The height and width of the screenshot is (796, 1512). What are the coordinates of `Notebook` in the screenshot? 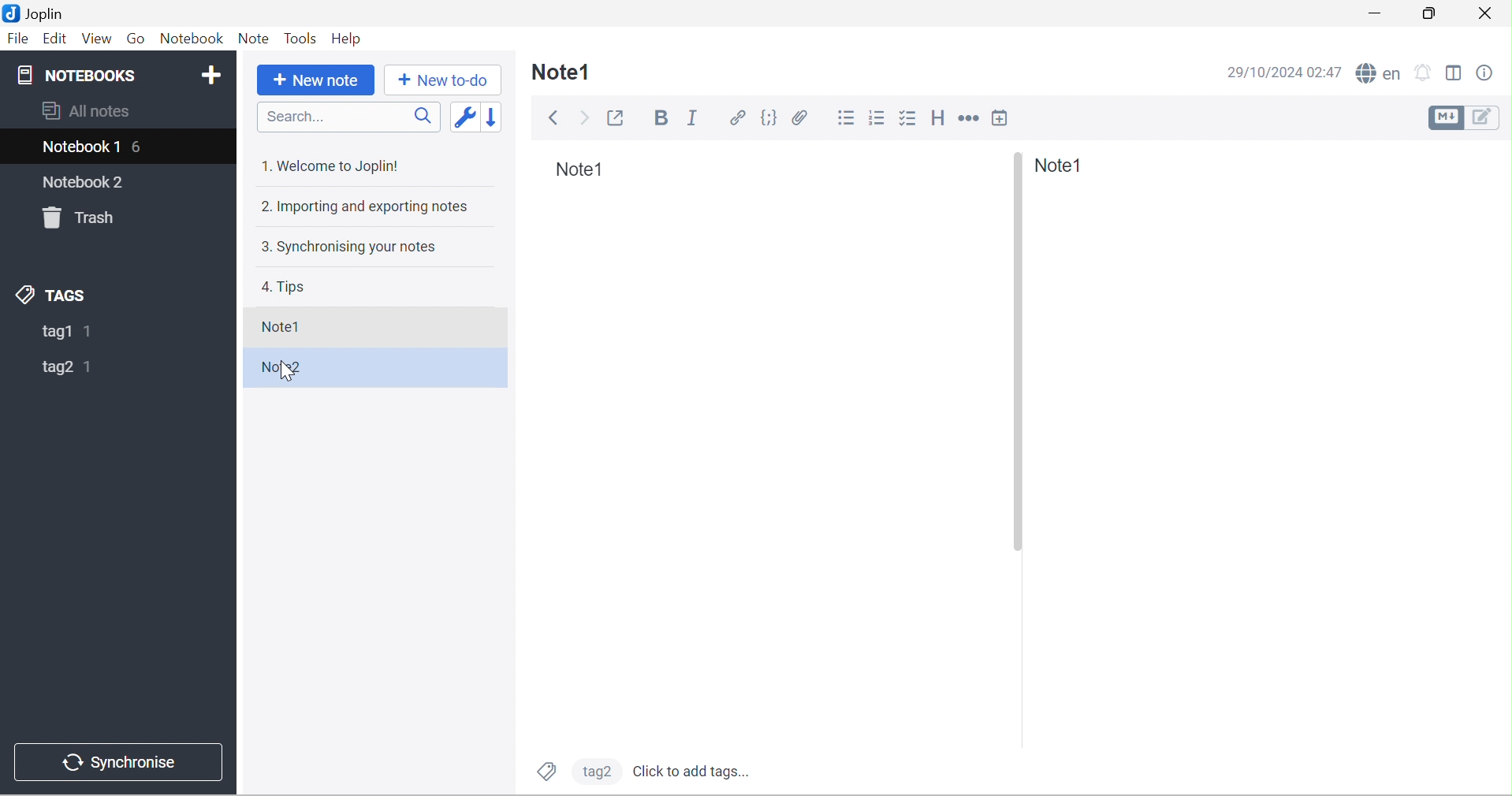 It's located at (192, 39).